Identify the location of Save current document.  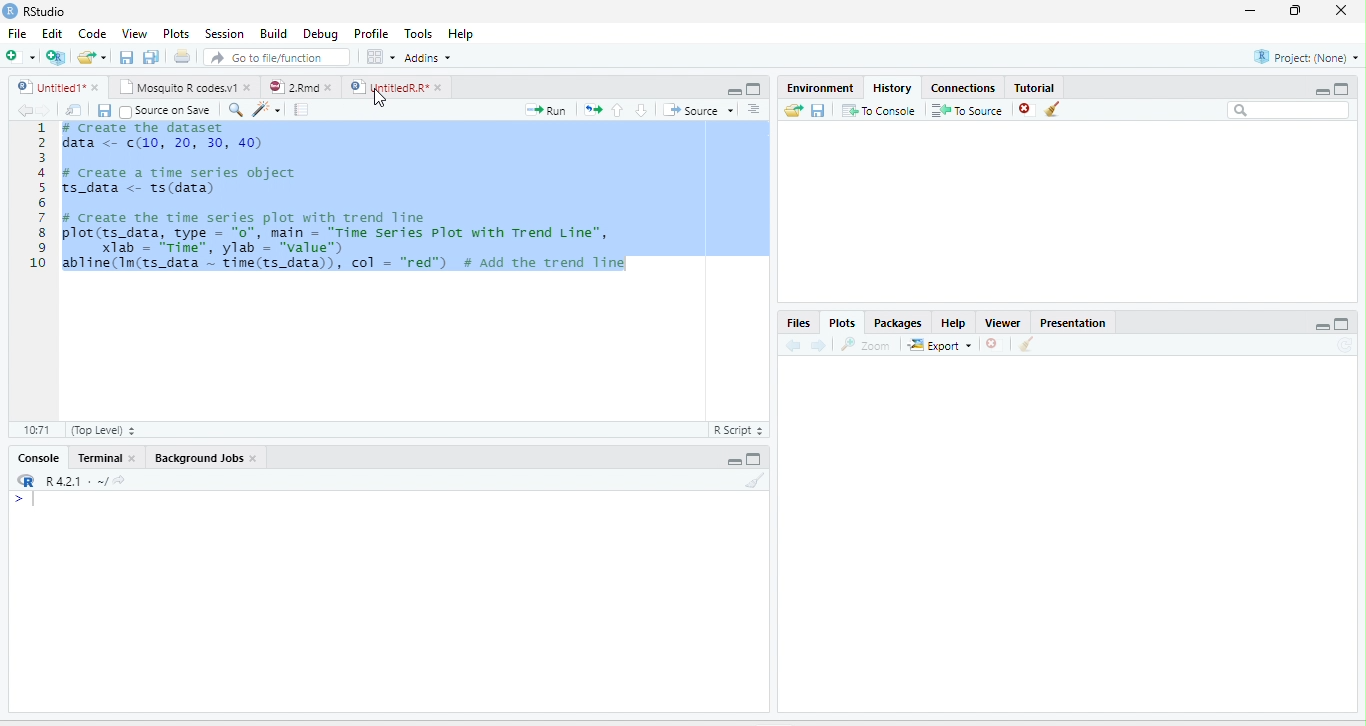
(126, 56).